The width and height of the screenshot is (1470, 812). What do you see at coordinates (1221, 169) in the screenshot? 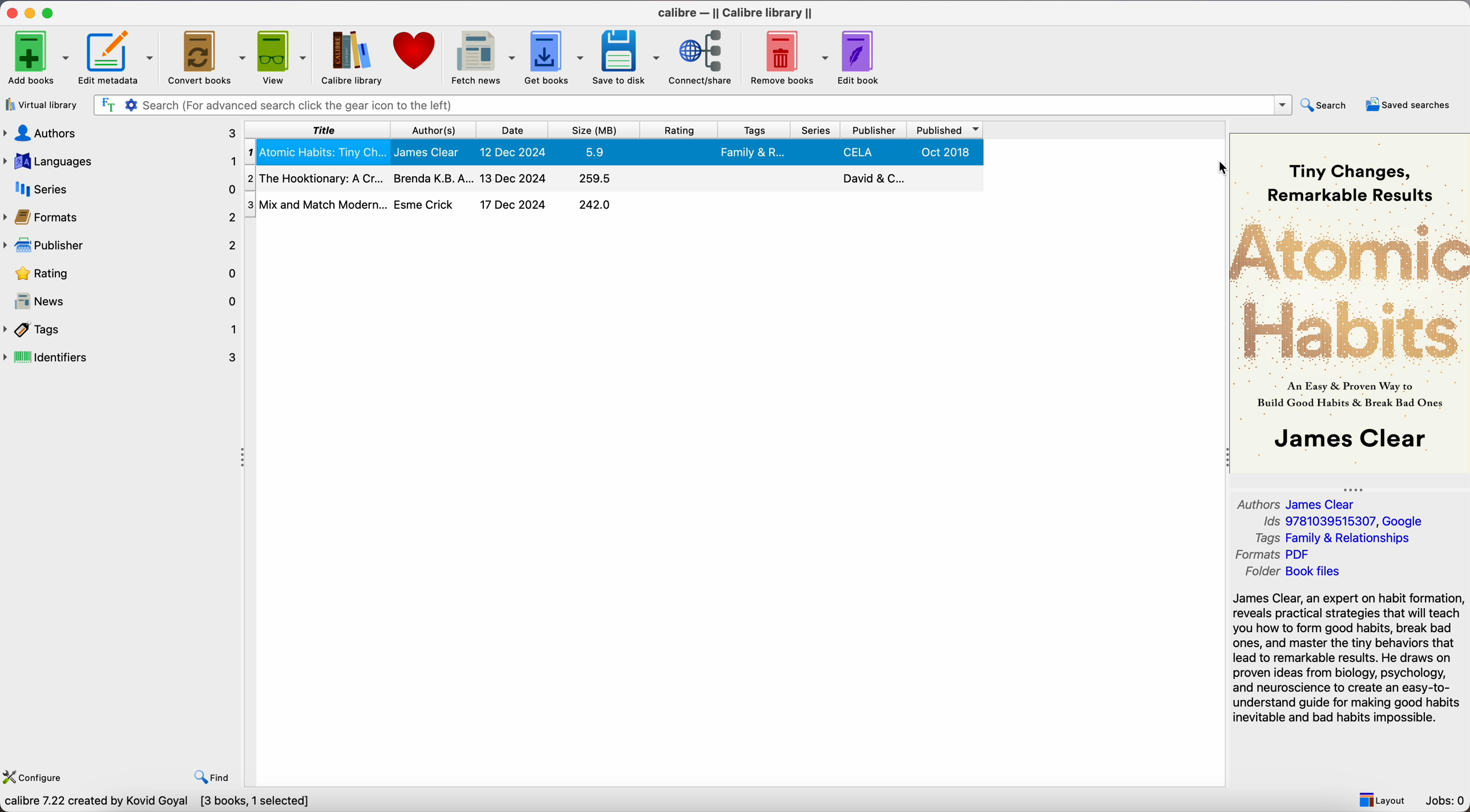
I see `cursor` at bounding box center [1221, 169].